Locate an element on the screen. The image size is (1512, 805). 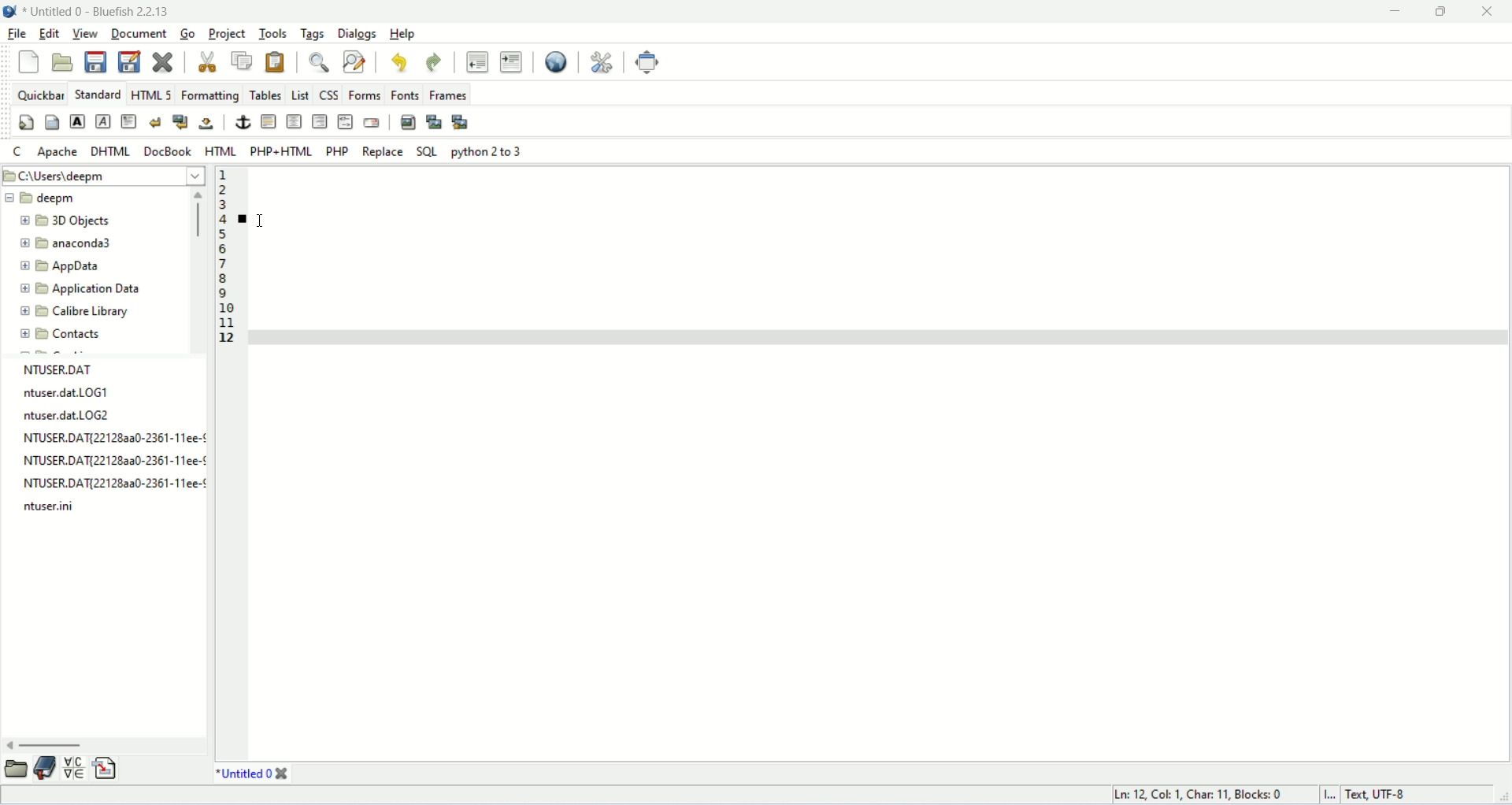
ntuser.dat.LOG1 is located at coordinates (68, 392).